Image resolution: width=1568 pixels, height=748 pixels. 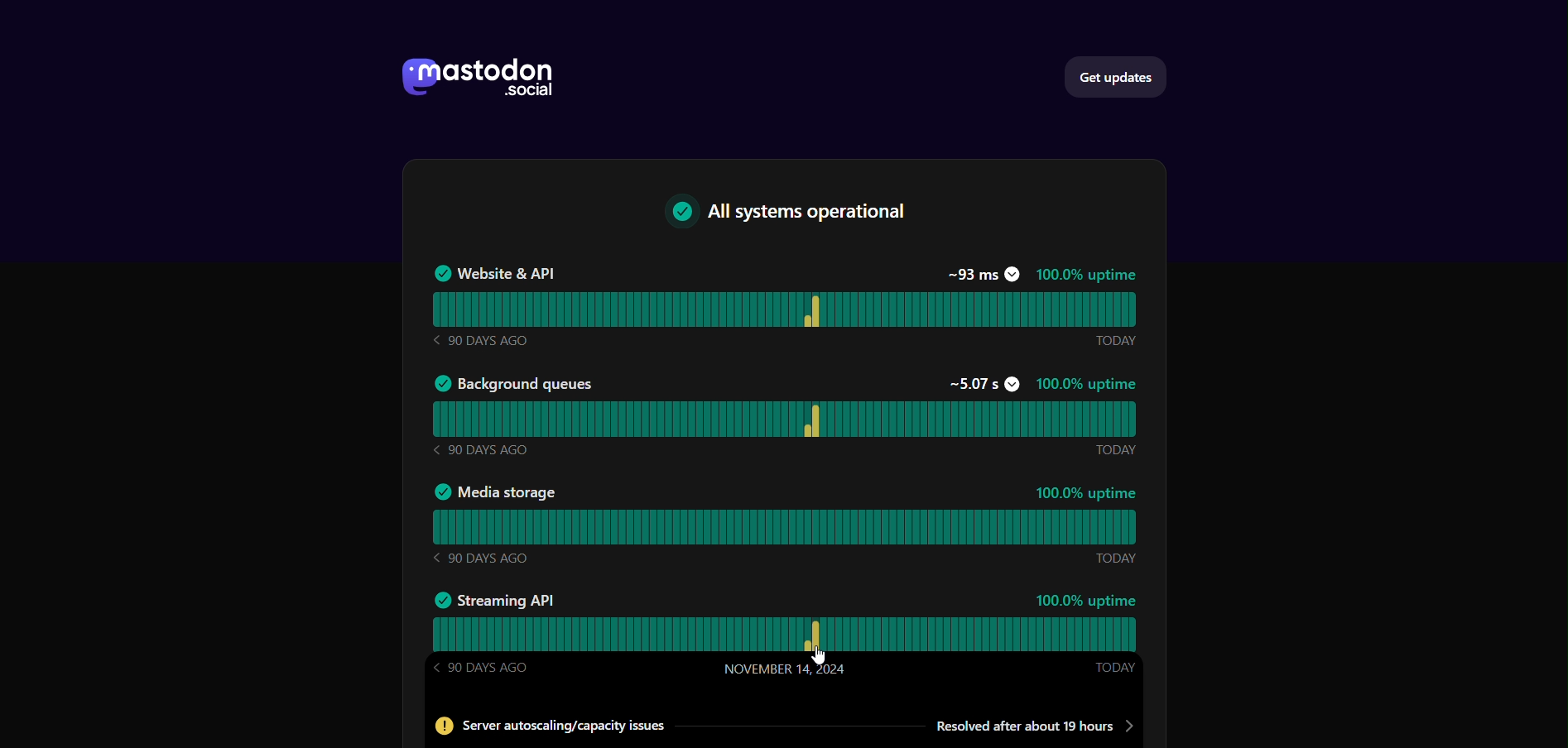 I want to click on 90 days ago, so click(x=482, y=448).